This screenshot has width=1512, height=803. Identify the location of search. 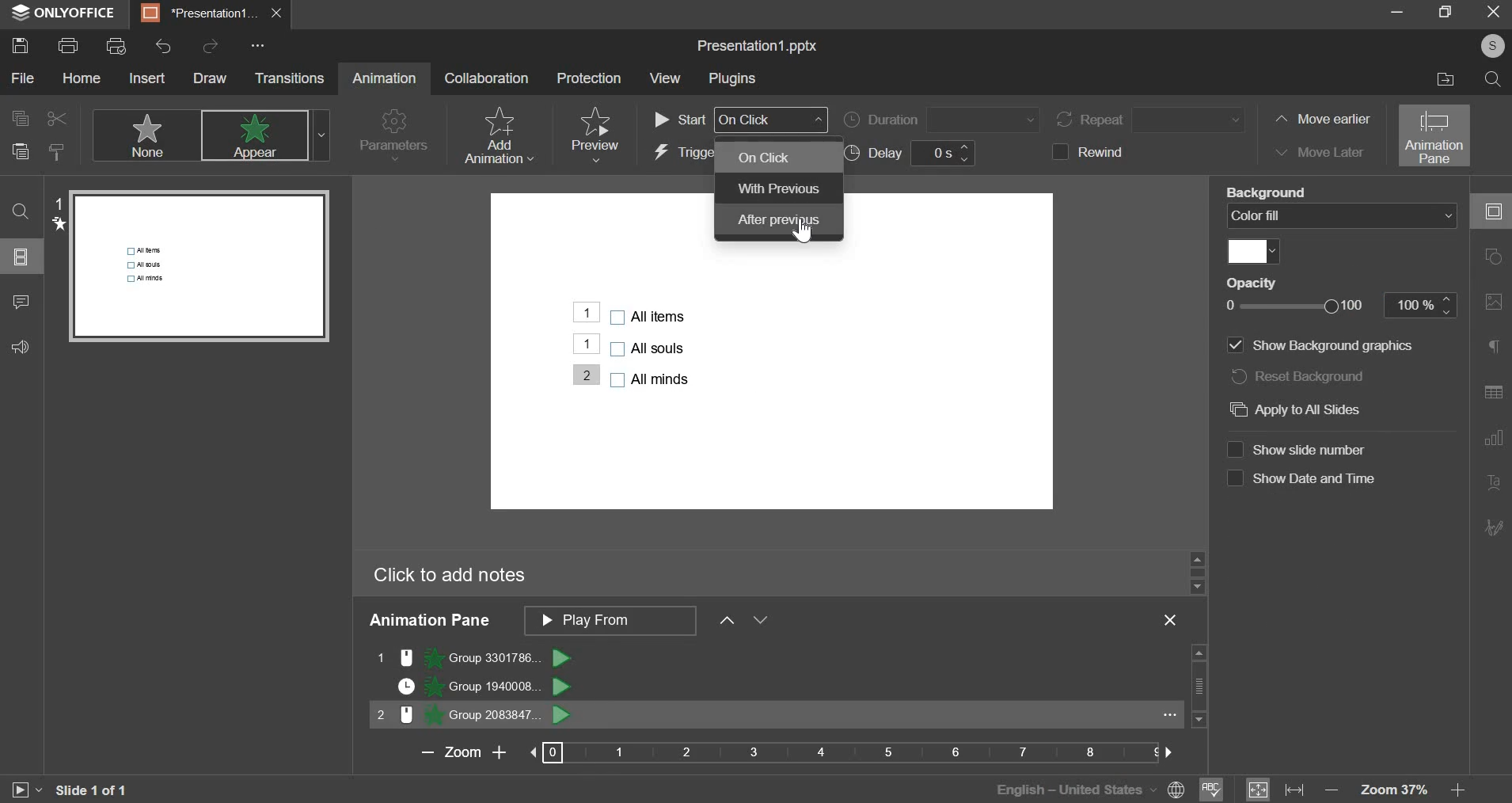
(1492, 80).